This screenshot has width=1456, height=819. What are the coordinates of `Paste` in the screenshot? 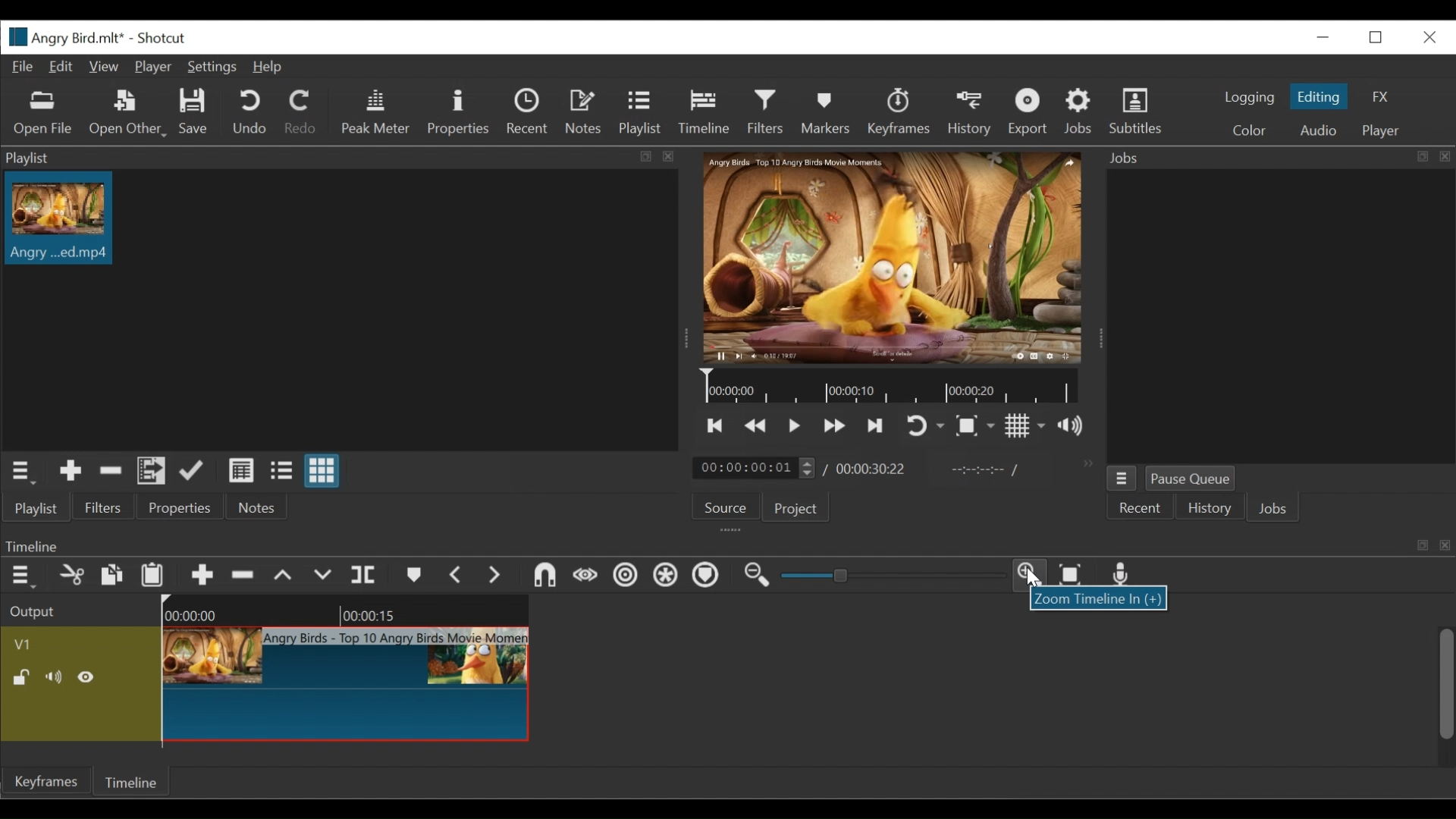 It's located at (152, 573).